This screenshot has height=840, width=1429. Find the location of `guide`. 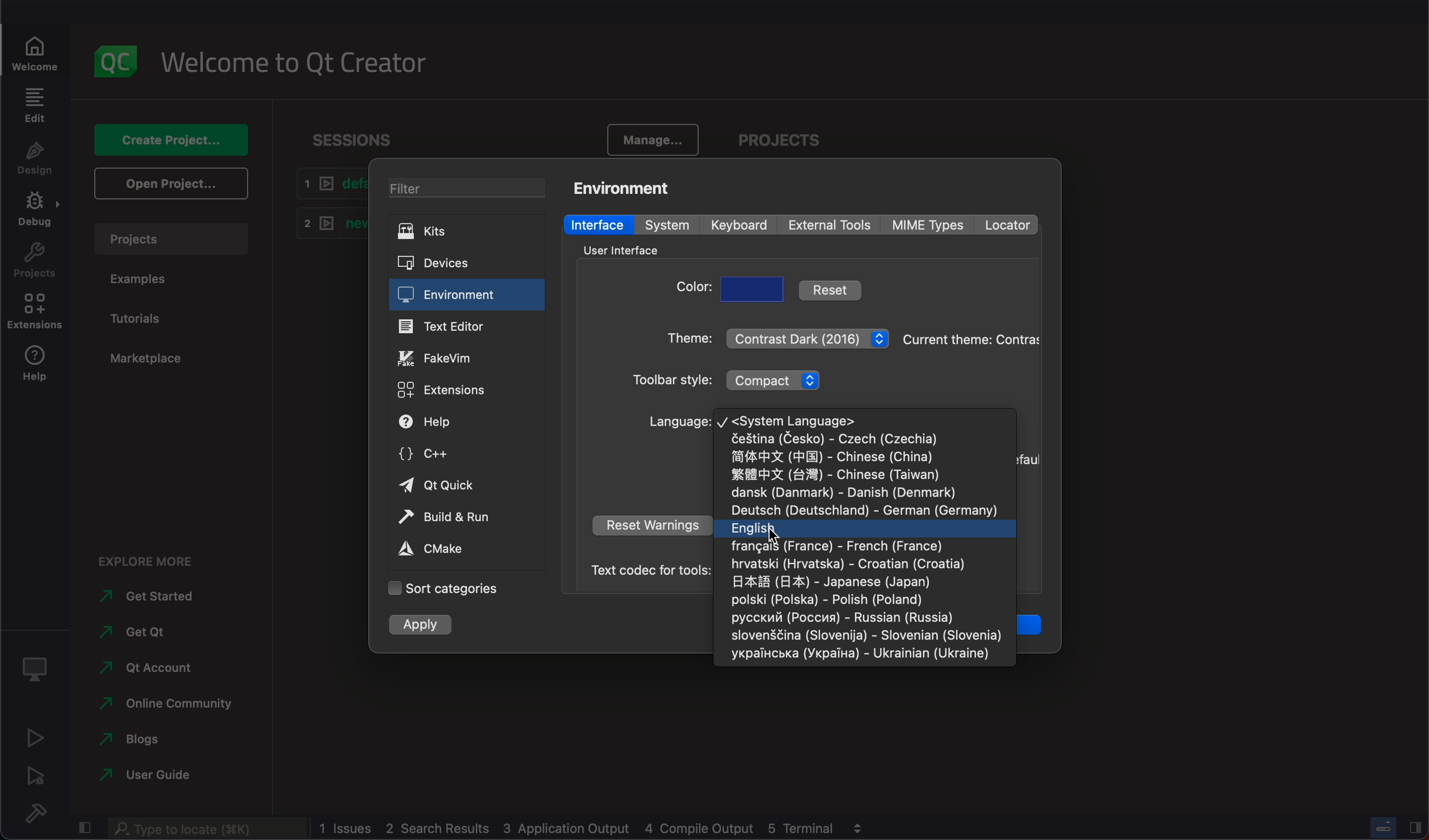

guide is located at coordinates (142, 775).